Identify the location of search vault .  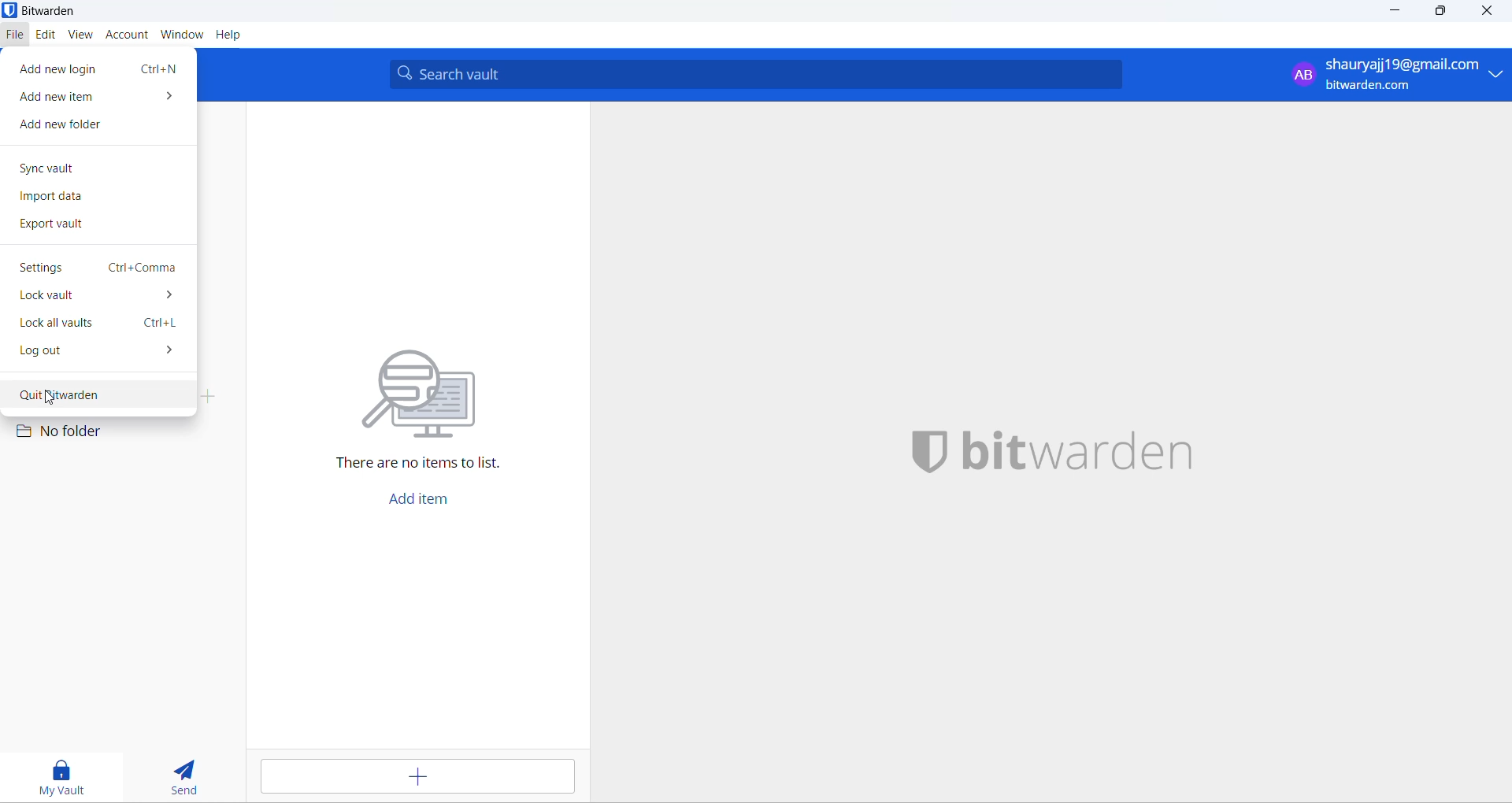
(750, 75).